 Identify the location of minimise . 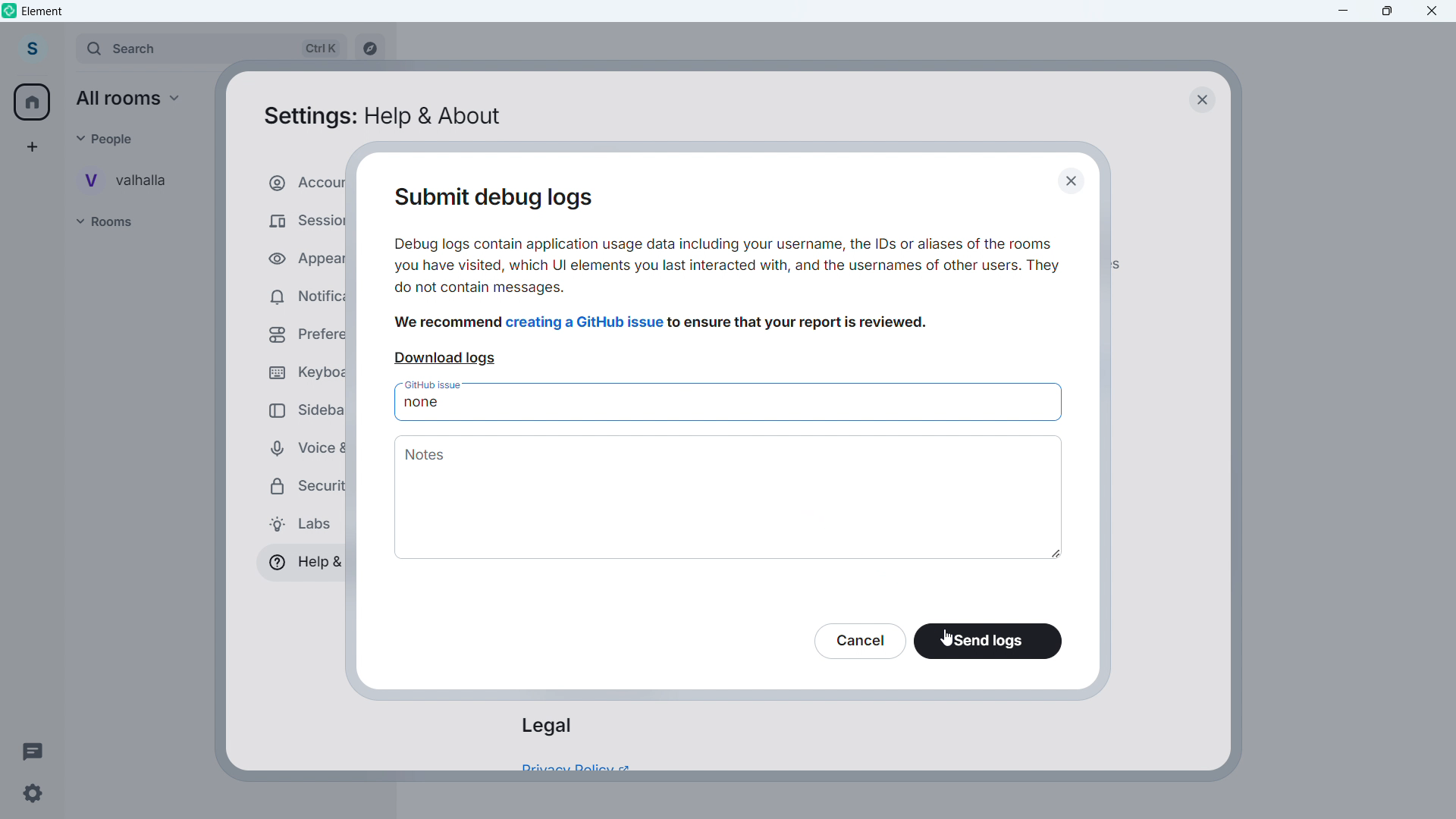
(1344, 11).